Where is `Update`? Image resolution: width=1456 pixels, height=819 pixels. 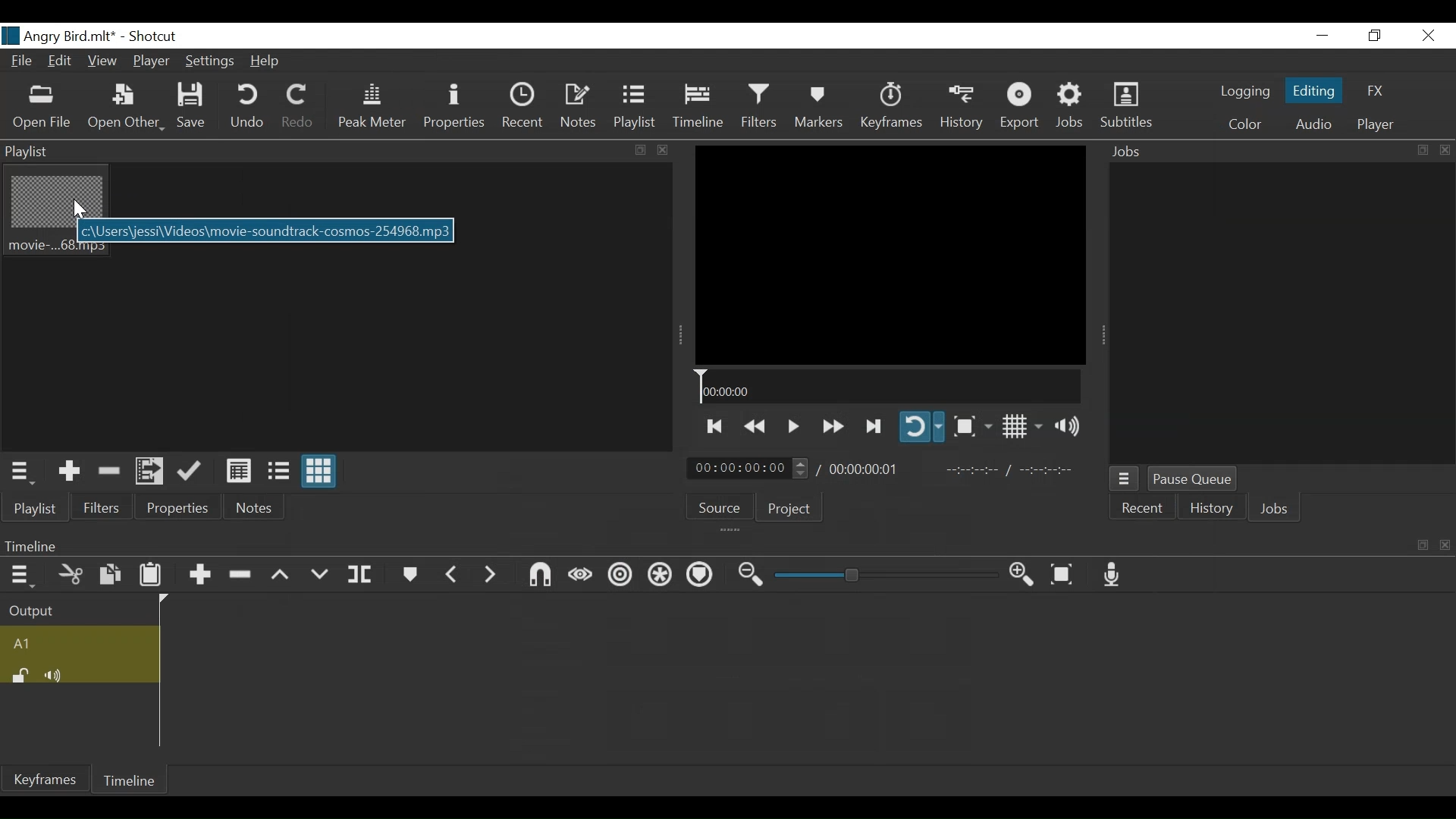
Update is located at coordinates (192, 472).